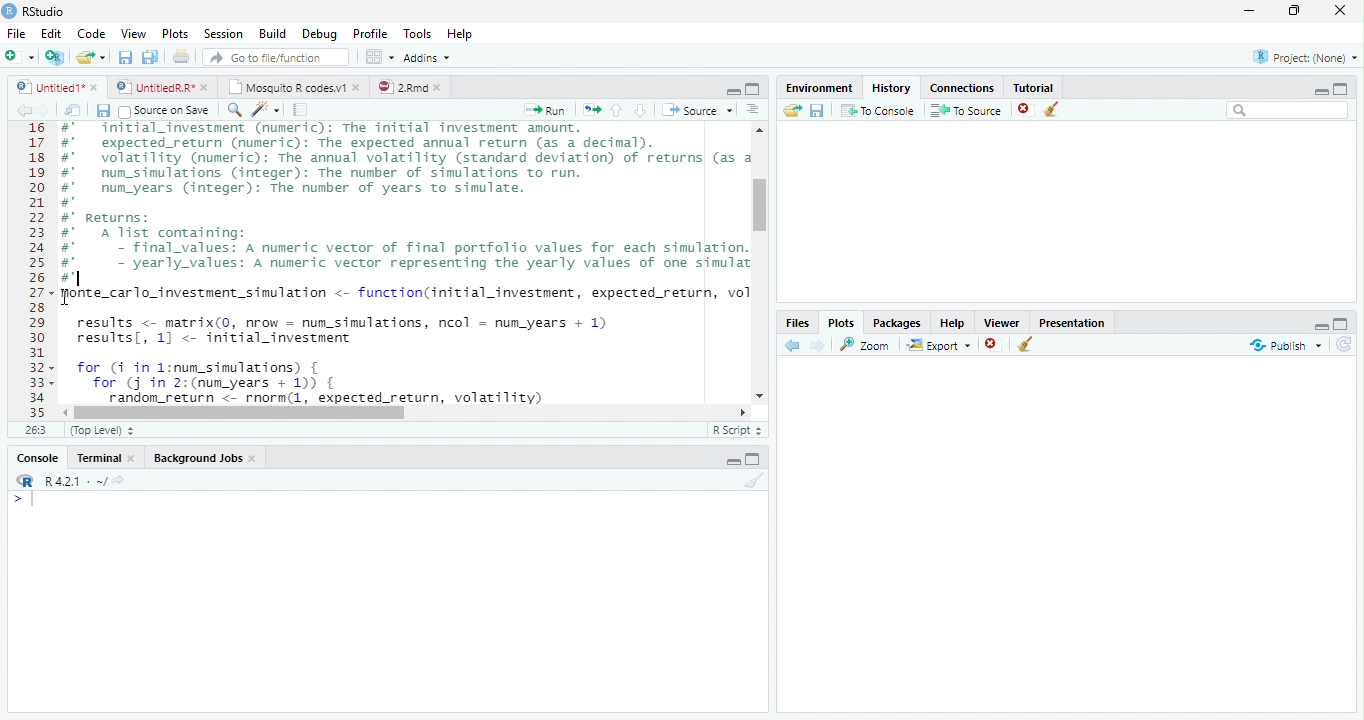 The height and width of the screenshot is (720, 1364). What do you see at coordinates (402, 264) in the screenshot?
I see `Code` at bounding box center [402, 264].